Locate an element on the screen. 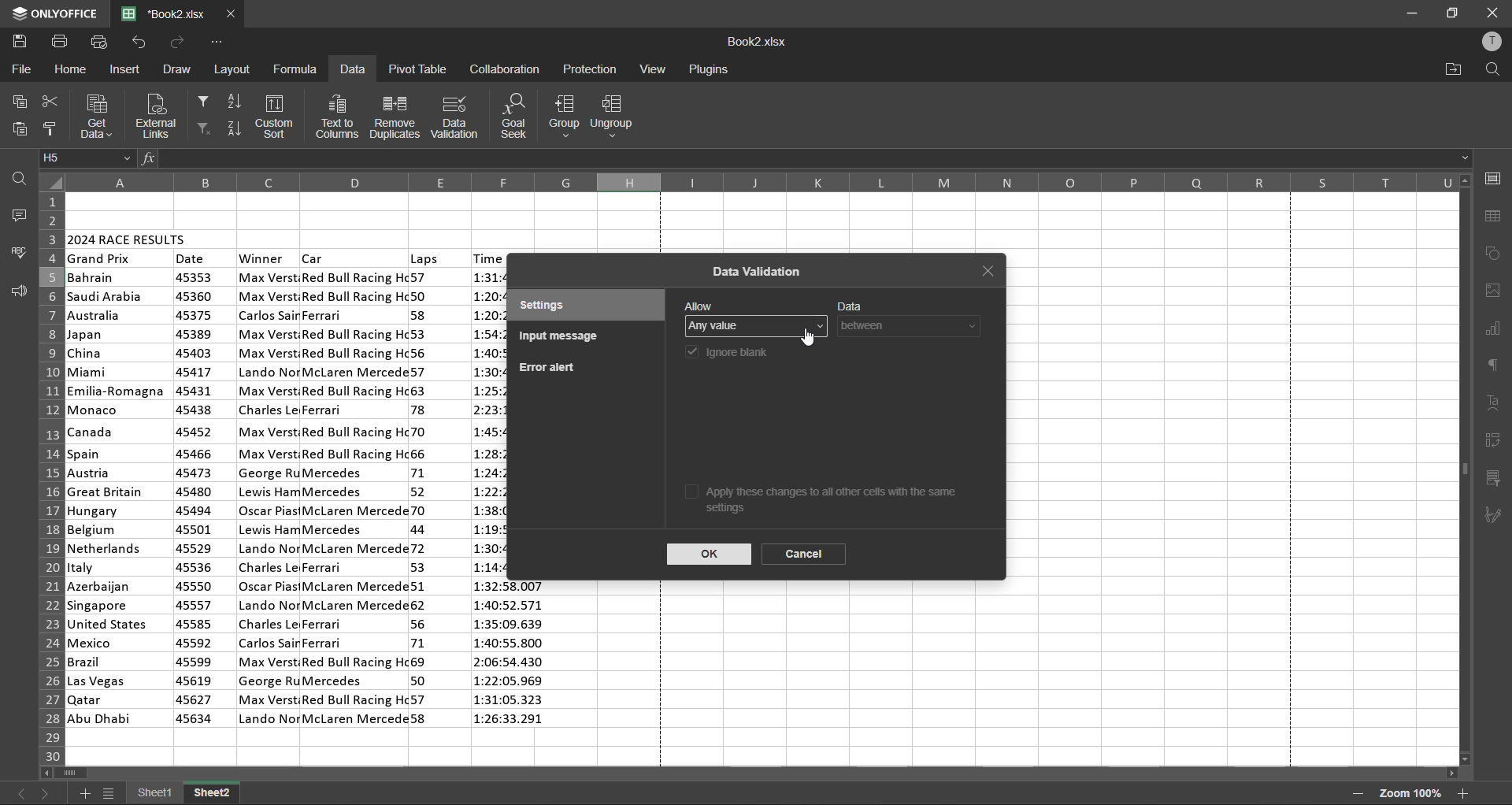 This screenshot has height=805, width=1512. close tab is located at coordinates (232, 14).